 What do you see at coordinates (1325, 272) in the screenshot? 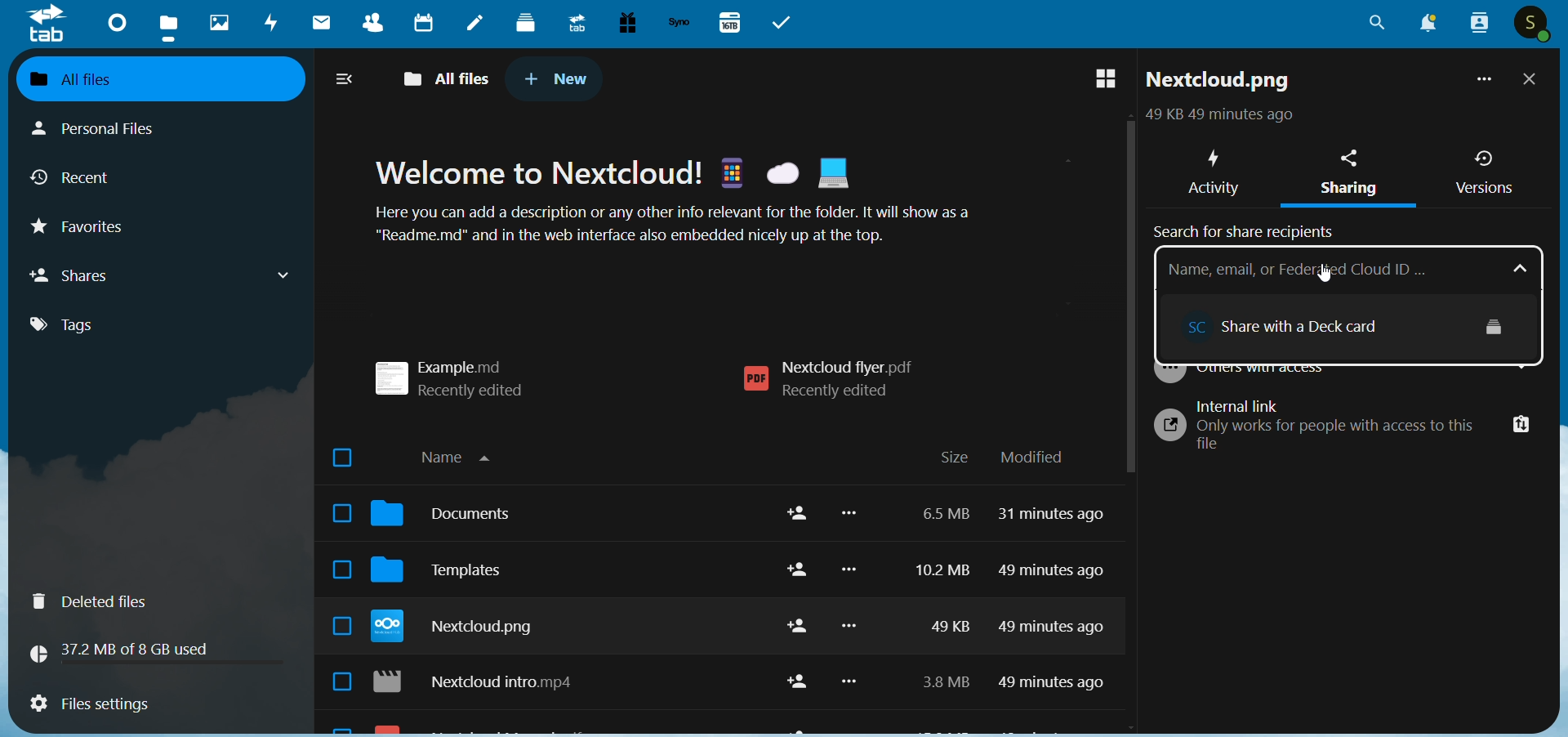
I see `cursor` at bounding box center [1325, 272].